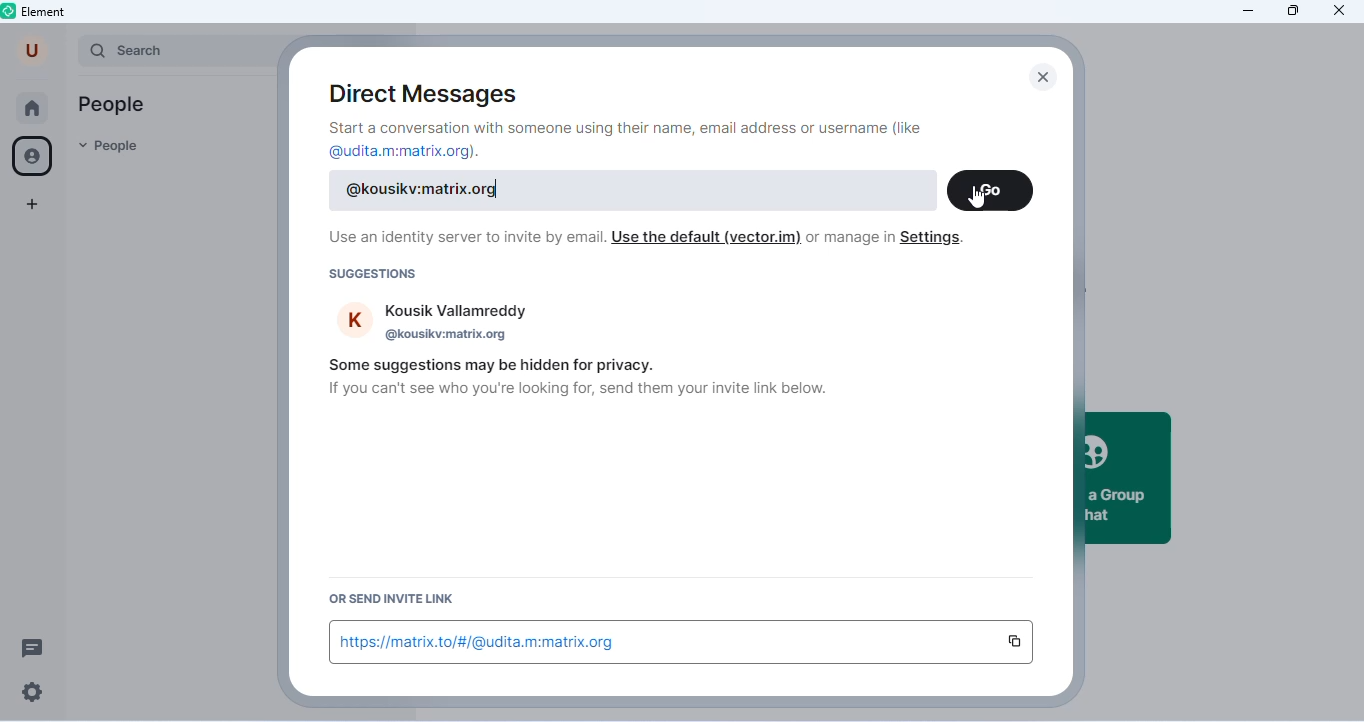 The image size is (1364, 722). Describe the element at coordinates (375, 275) in the screenshot. I see `suggestions` at that location.